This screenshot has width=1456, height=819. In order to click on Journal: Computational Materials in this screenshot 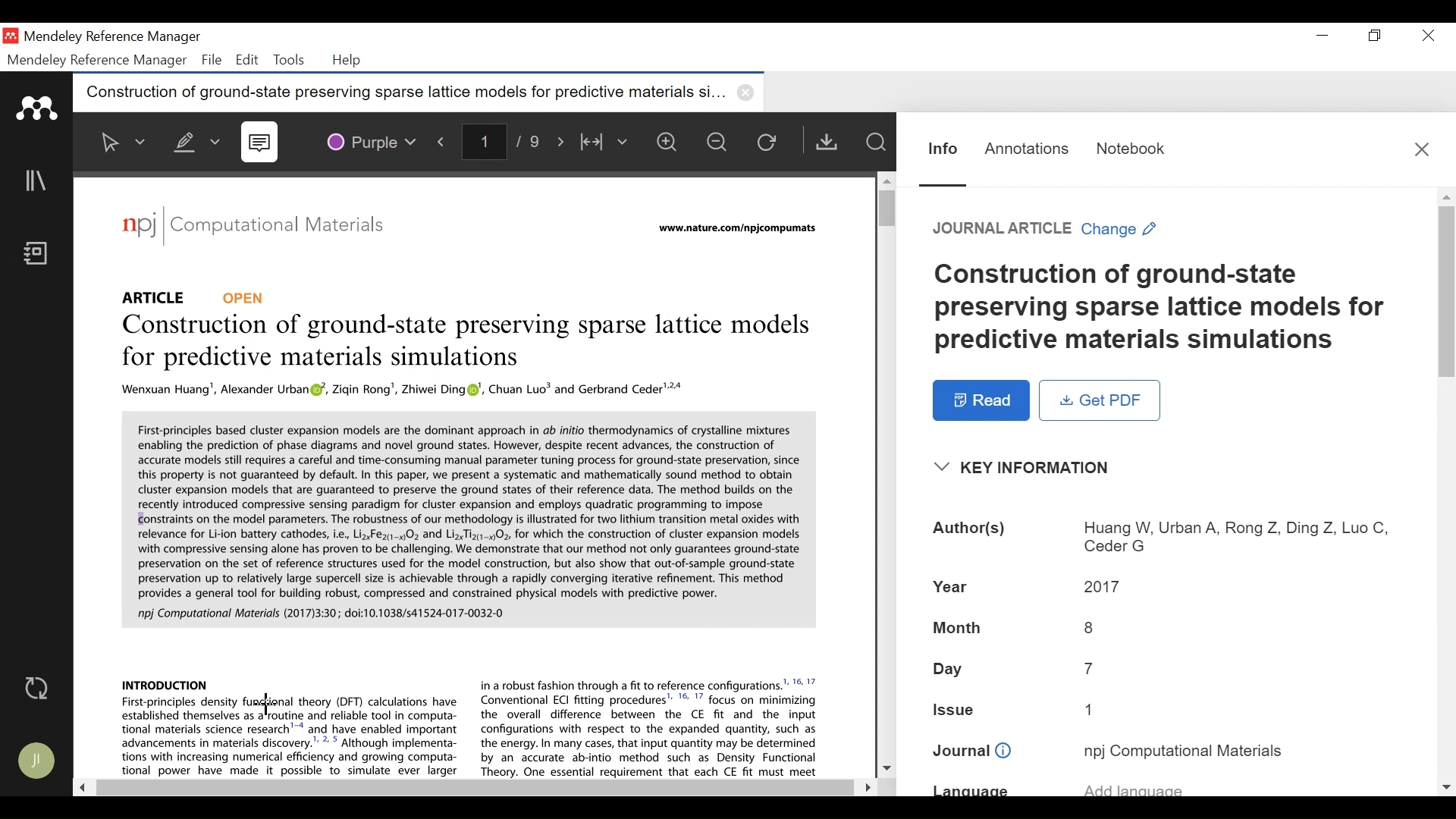, I will do `click(254, 227)`.